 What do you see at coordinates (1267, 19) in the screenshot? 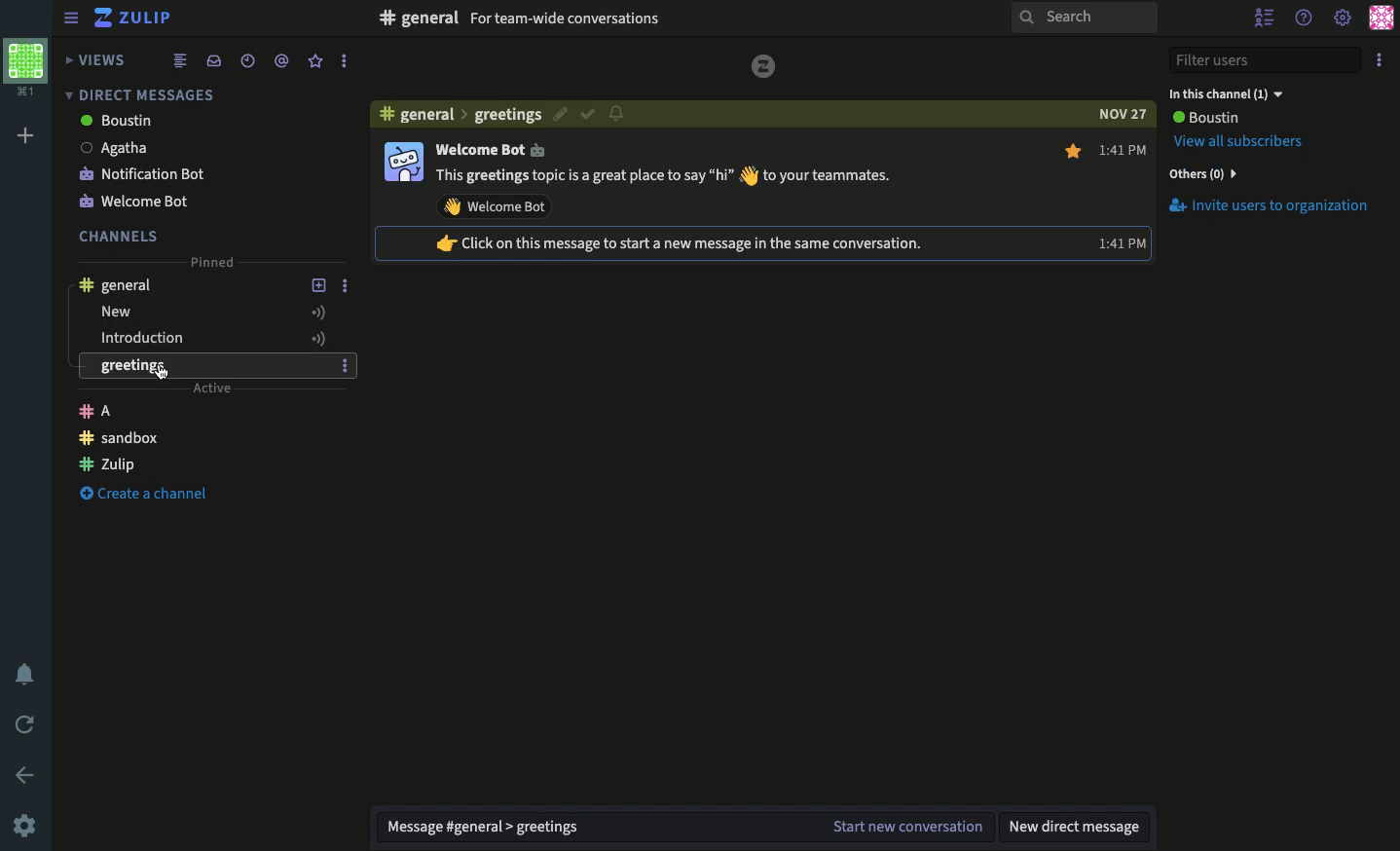
I see `Hide users list` at bounding box center [1267, 19].